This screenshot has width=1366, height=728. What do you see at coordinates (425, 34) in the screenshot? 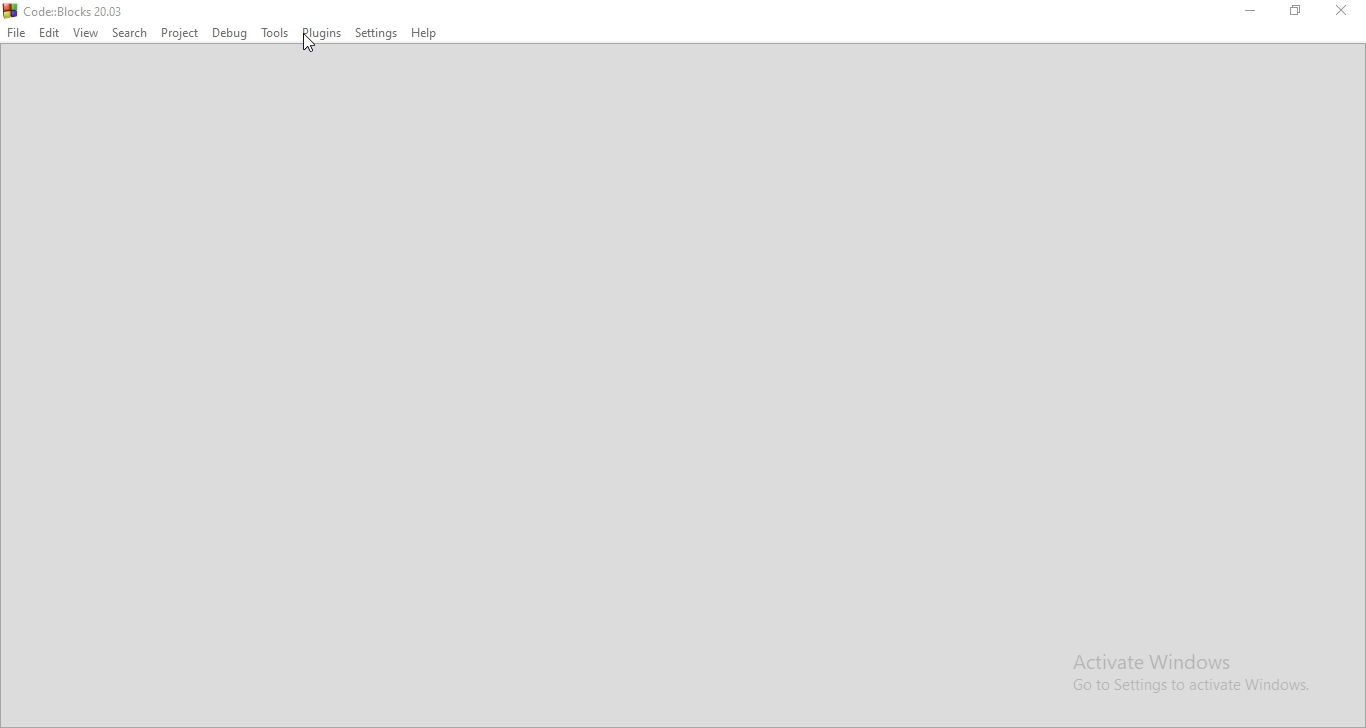
I see `Help` at bounding box center [425, 34].